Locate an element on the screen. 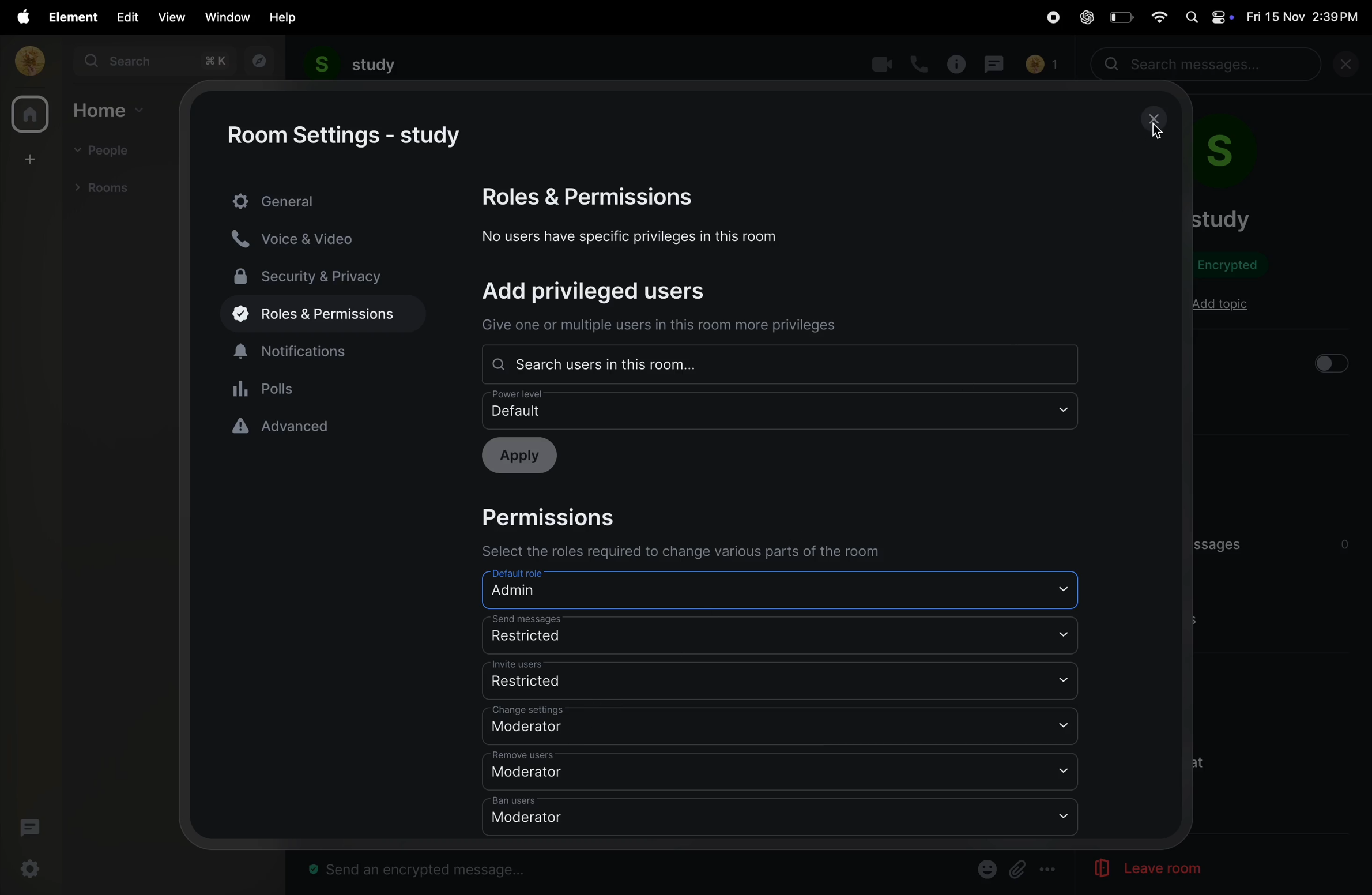 This screenshot has height=895, width=1372. emoji is located at coordinates (985, 868).